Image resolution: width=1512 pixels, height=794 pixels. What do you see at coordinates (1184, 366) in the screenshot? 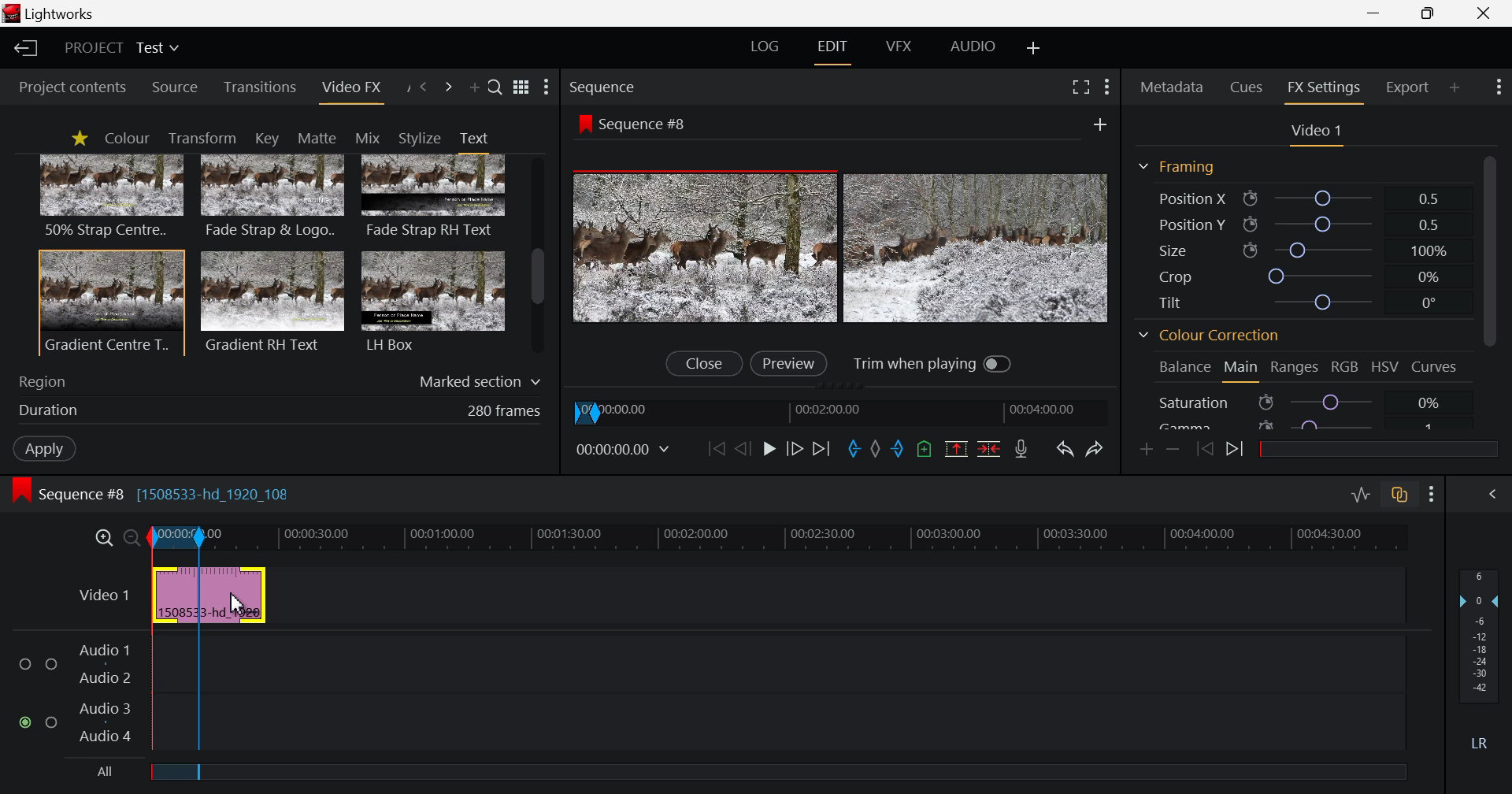
I see `Balance` at bounding box center [1184, 366].